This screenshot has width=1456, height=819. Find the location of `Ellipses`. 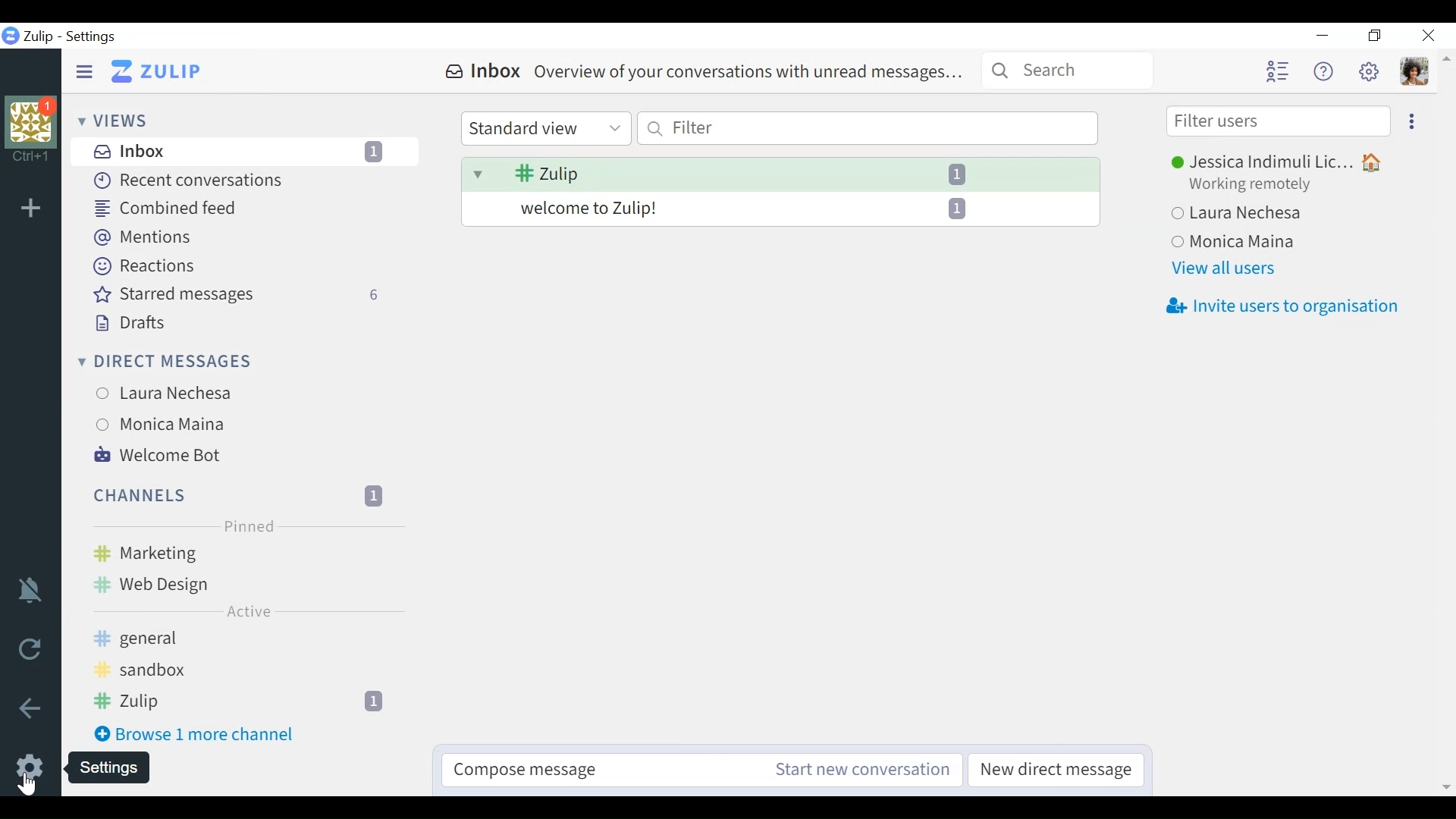

Ellipses is located at coordinates (1412, 120).